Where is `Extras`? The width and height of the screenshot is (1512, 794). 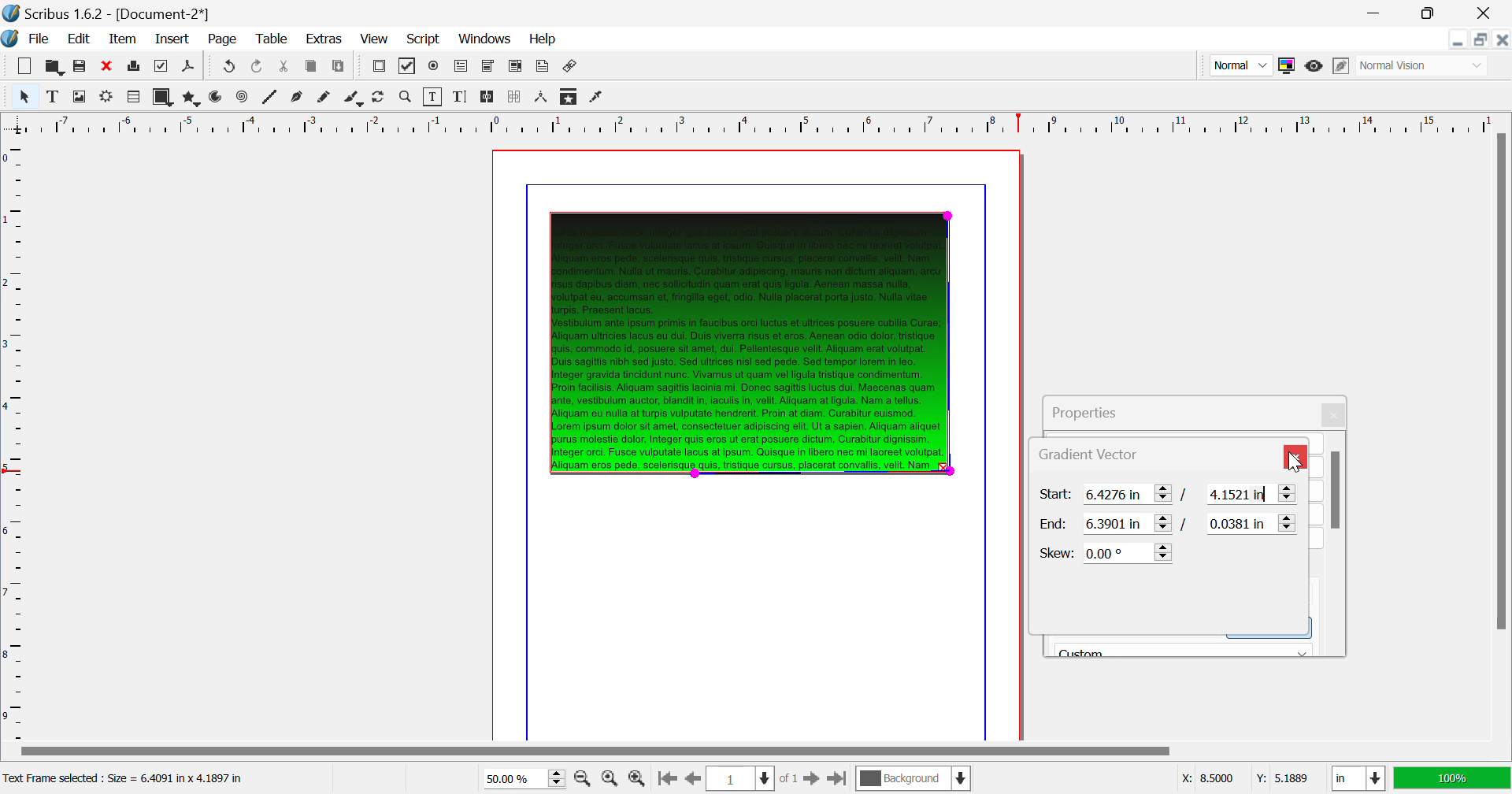 Extras is located at coordinates (322, 39).